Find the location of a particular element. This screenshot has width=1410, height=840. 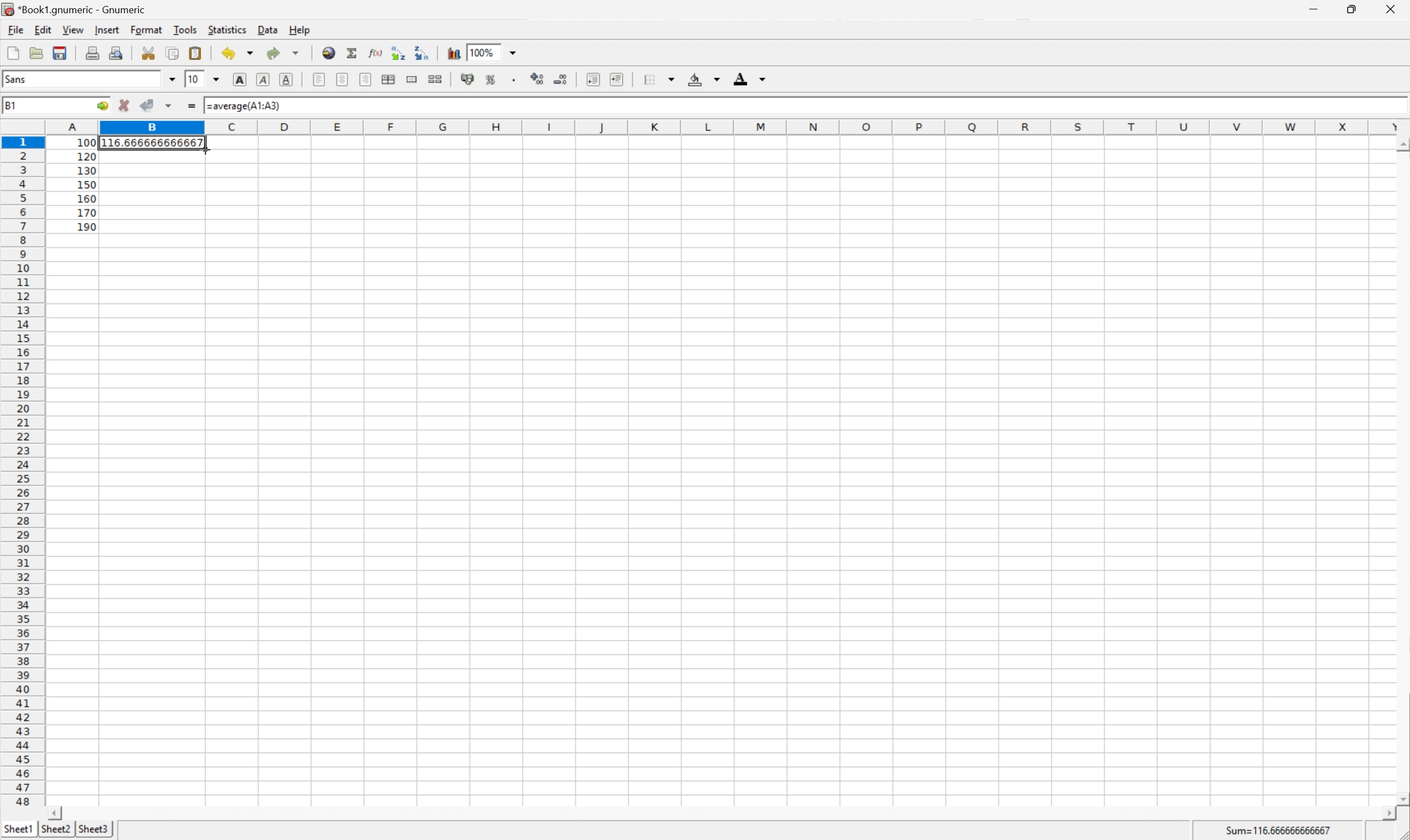

Print Preview is located at coordinates (118, 52).